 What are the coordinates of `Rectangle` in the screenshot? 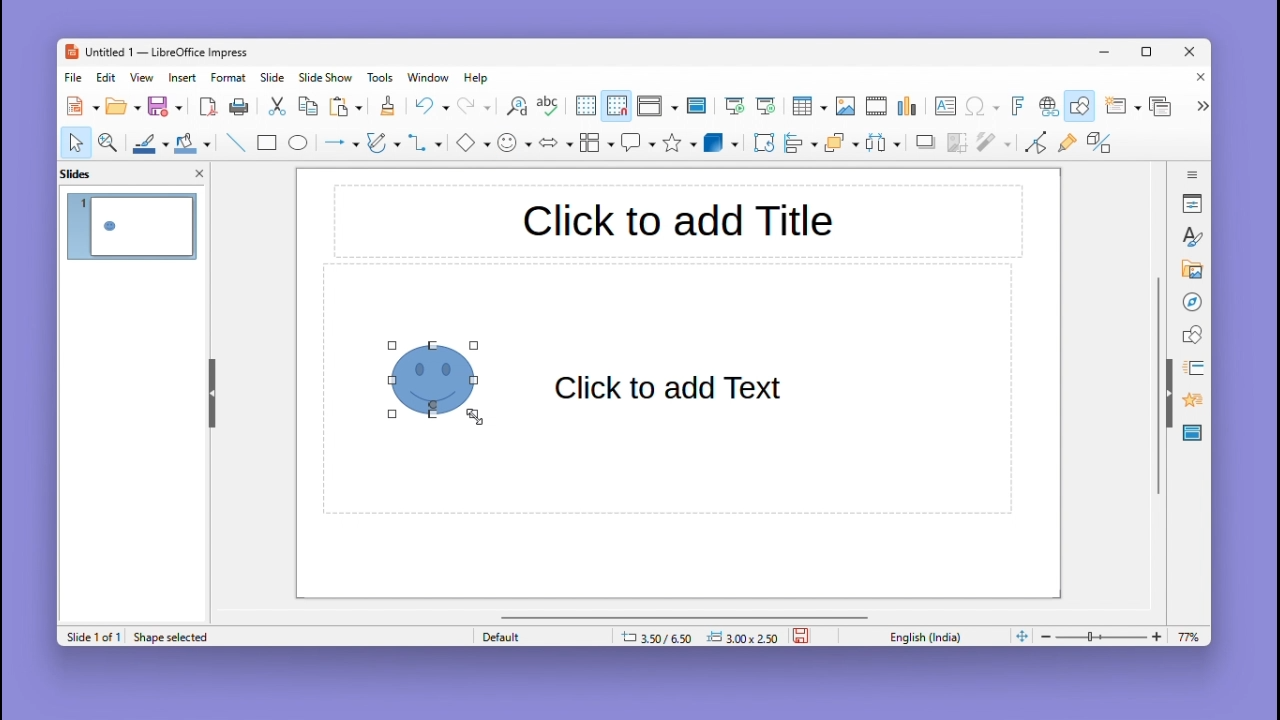 It's located at (265, 142).